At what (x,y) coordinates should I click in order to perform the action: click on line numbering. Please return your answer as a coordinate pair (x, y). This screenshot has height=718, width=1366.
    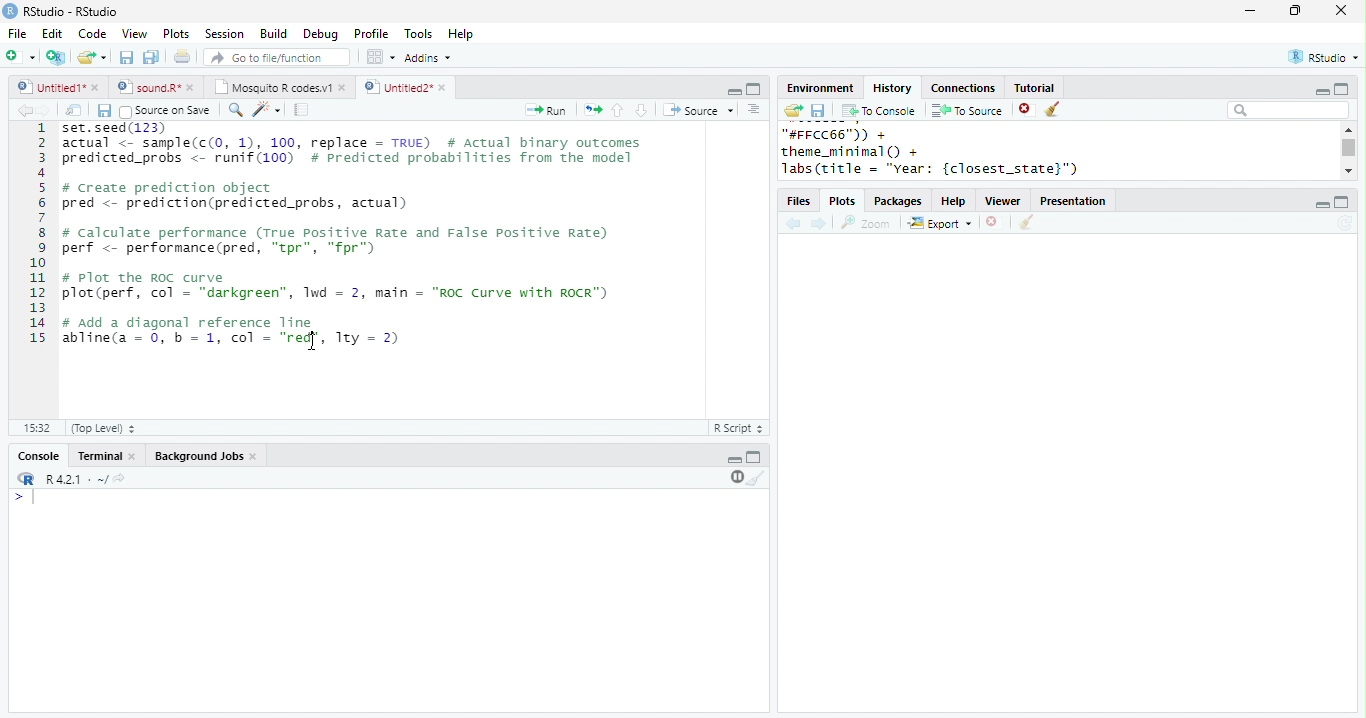
    Looking at the image, I should click on (40, 269).